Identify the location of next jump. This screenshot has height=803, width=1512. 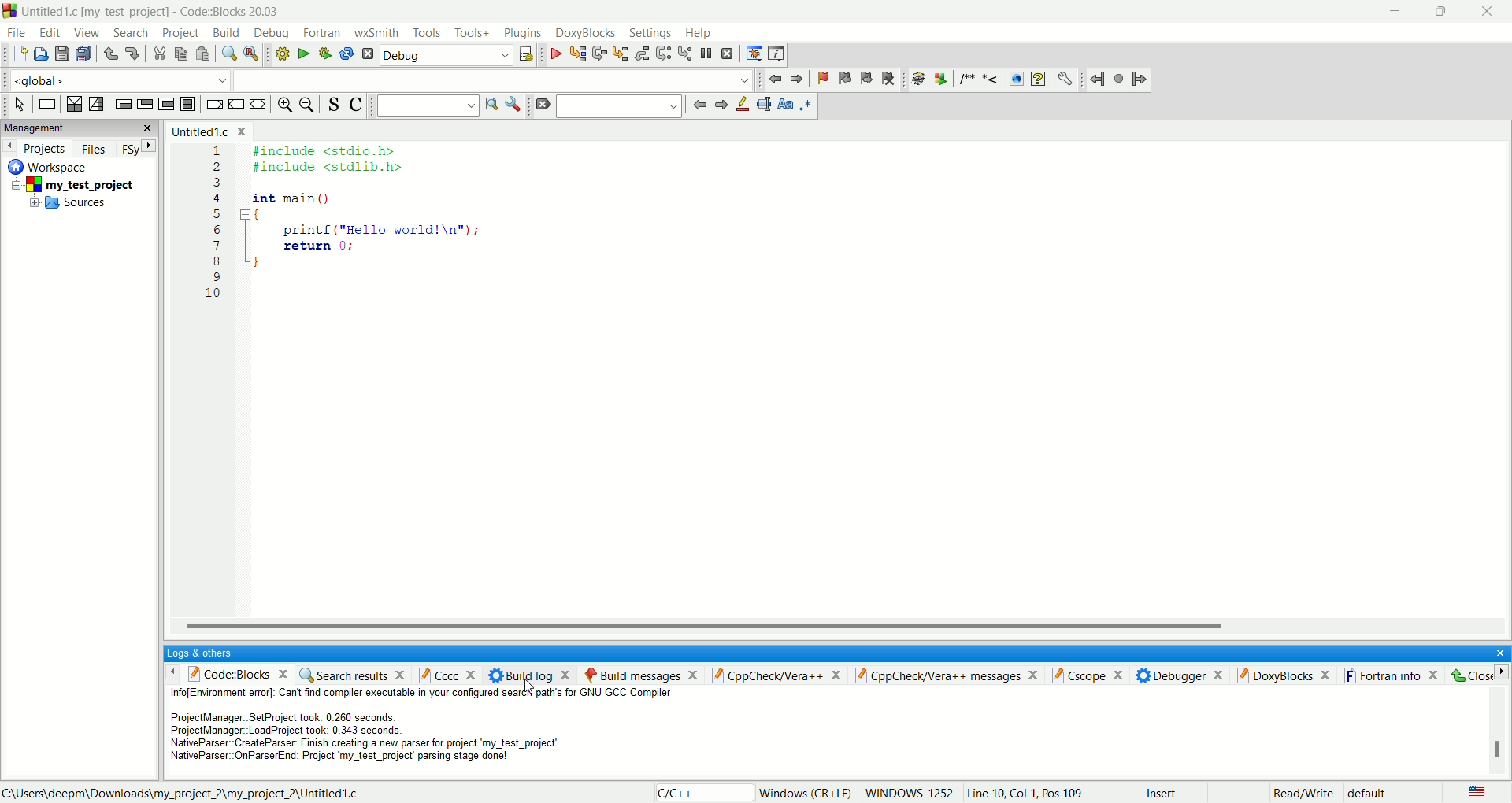
(1100, 80).